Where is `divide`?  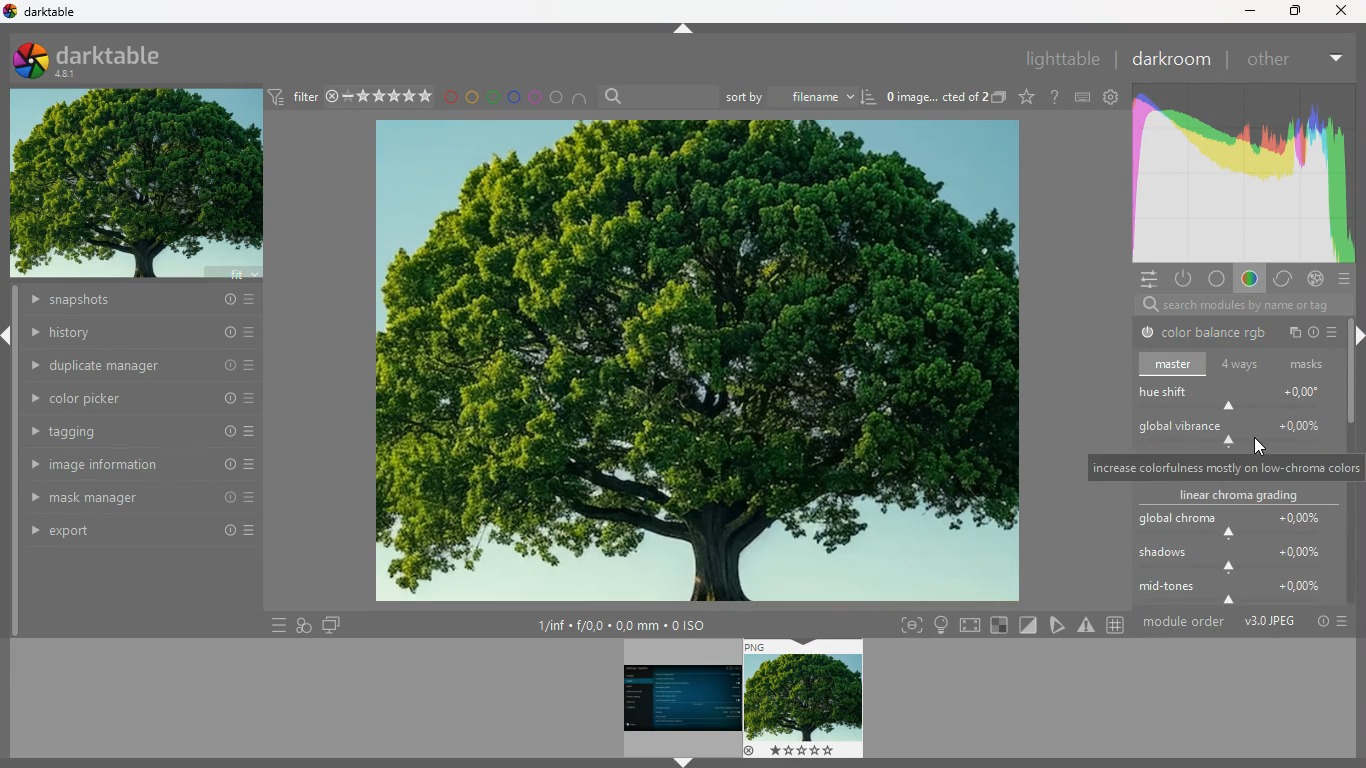 divide is located at coordinates (1030, 624).